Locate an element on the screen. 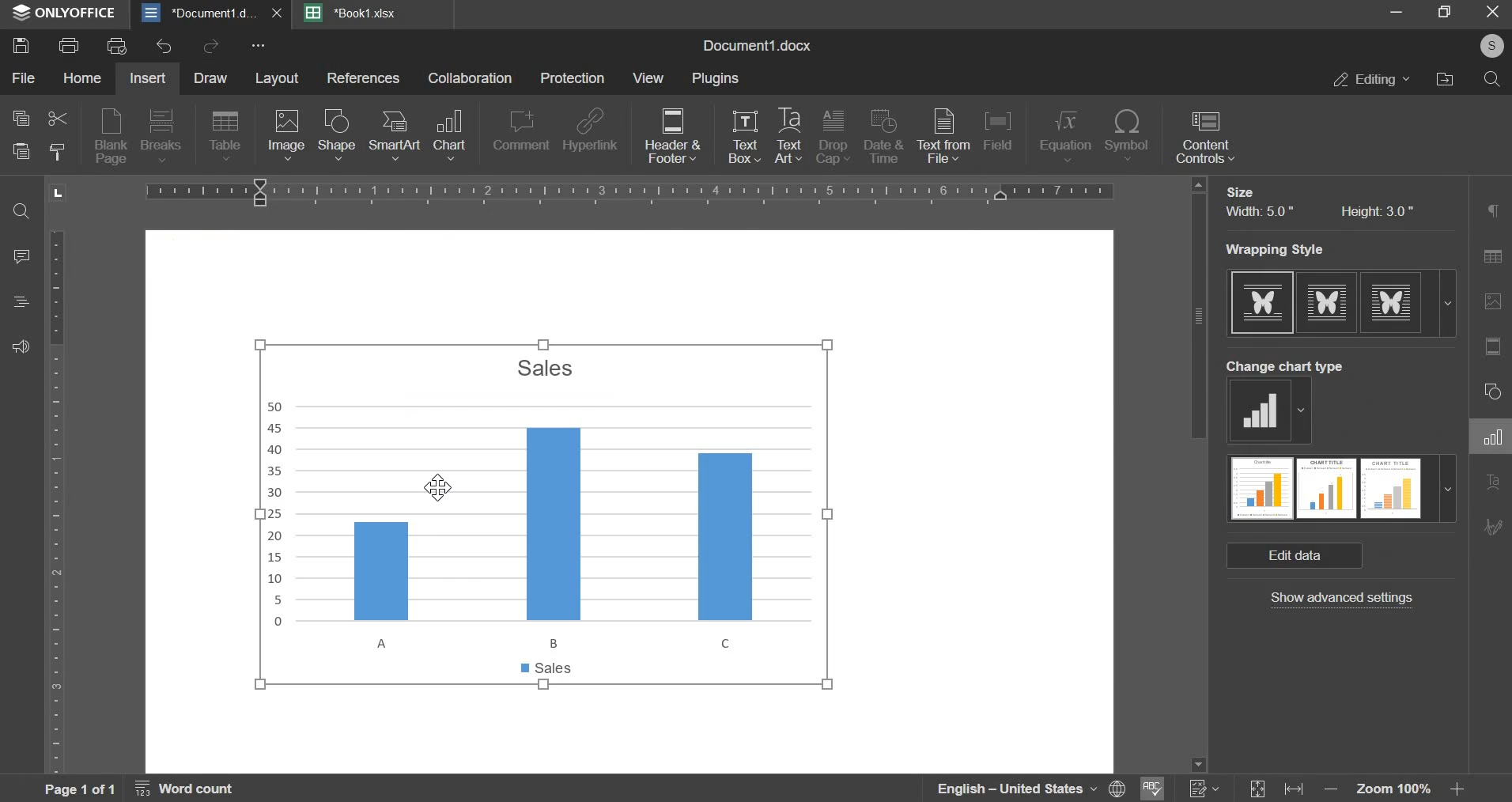 This screenshot has height=802, width=1512. minimize is located at coordinates (1399, 16).